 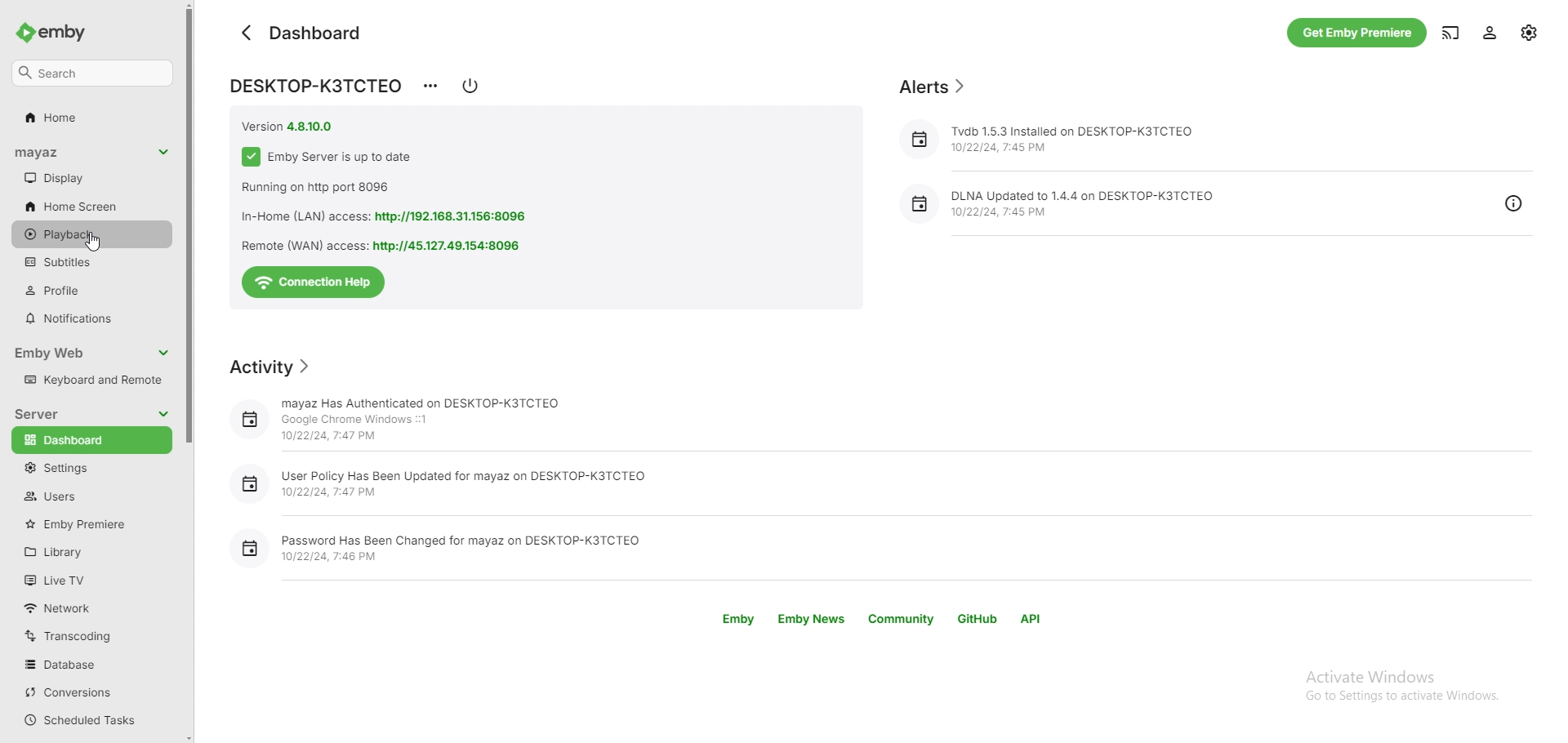 What do you see at coordinates (314, 281) in the screenshot?
I see `connection help` at bounding box center [314, 281].